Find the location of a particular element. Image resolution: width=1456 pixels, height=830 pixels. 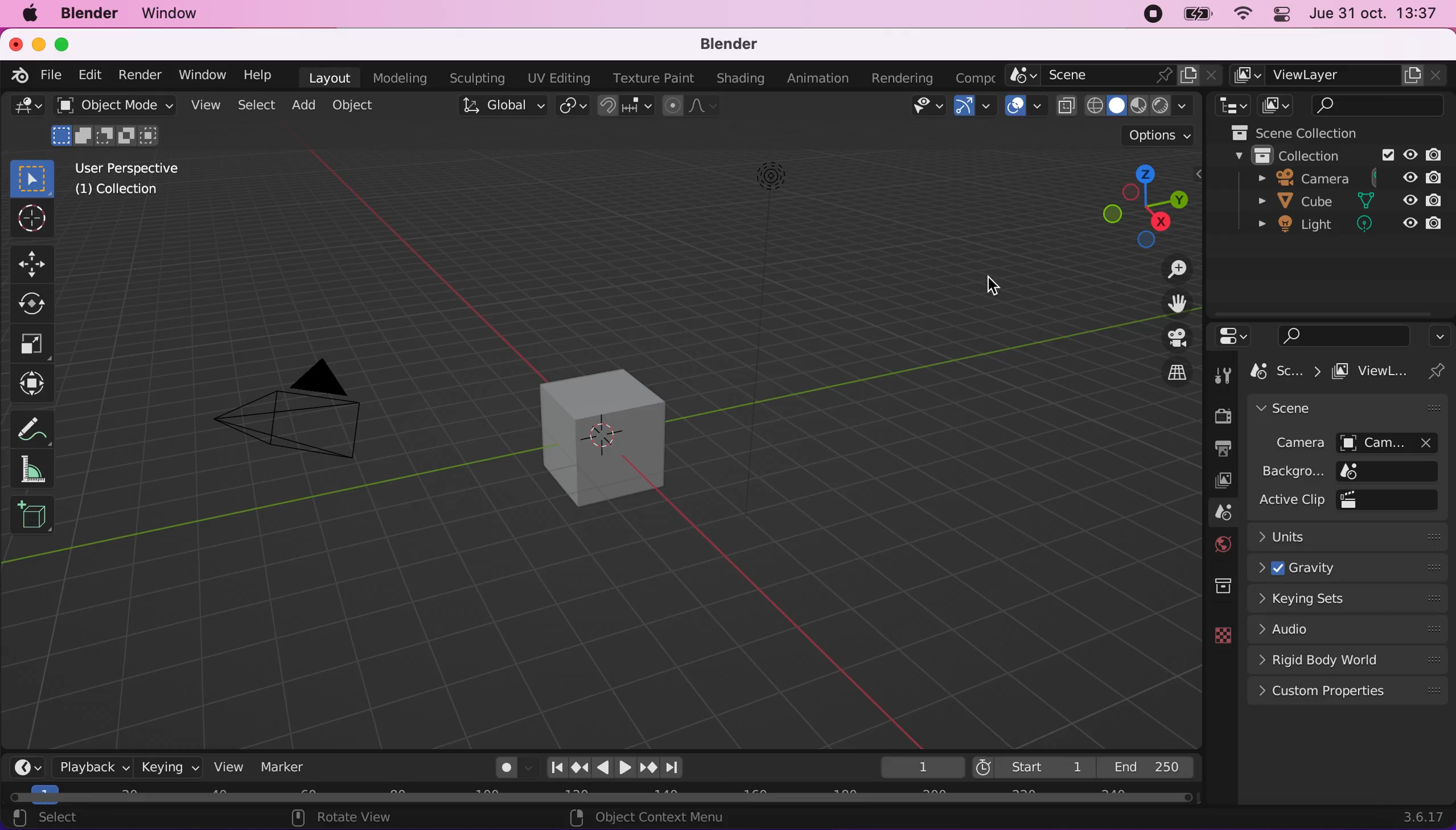

recording stopped is located at coordinates (1148, 14).